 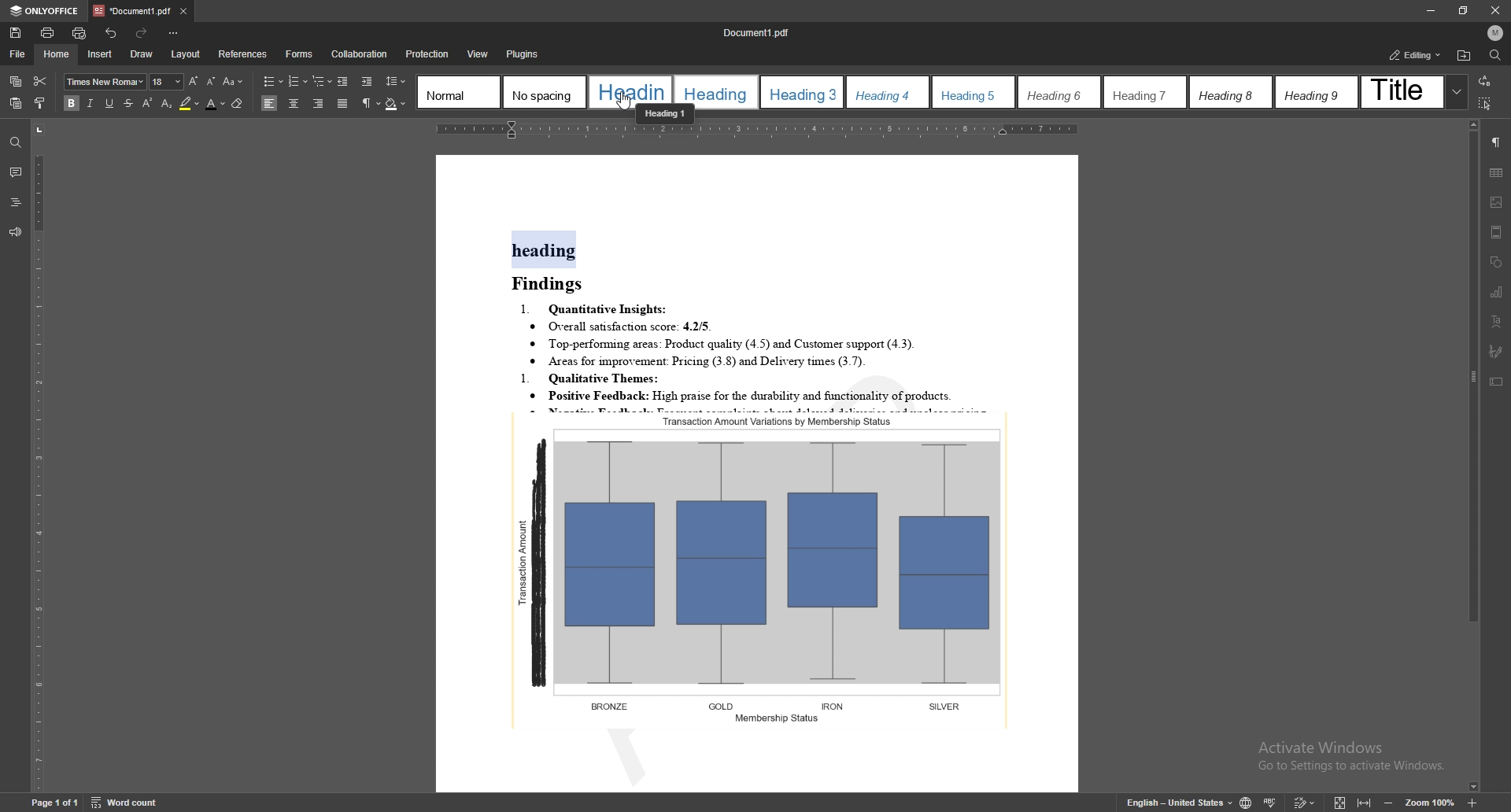 I want to click on close tab, so click(x=183, y=13).